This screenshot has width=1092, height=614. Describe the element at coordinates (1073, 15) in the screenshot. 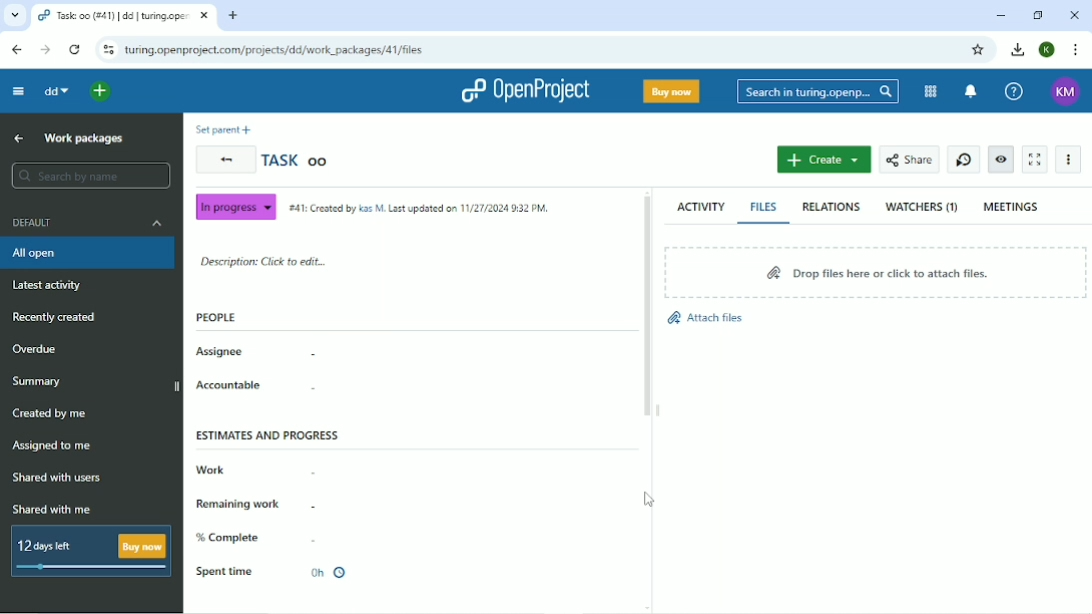

I see `Close` at that location.